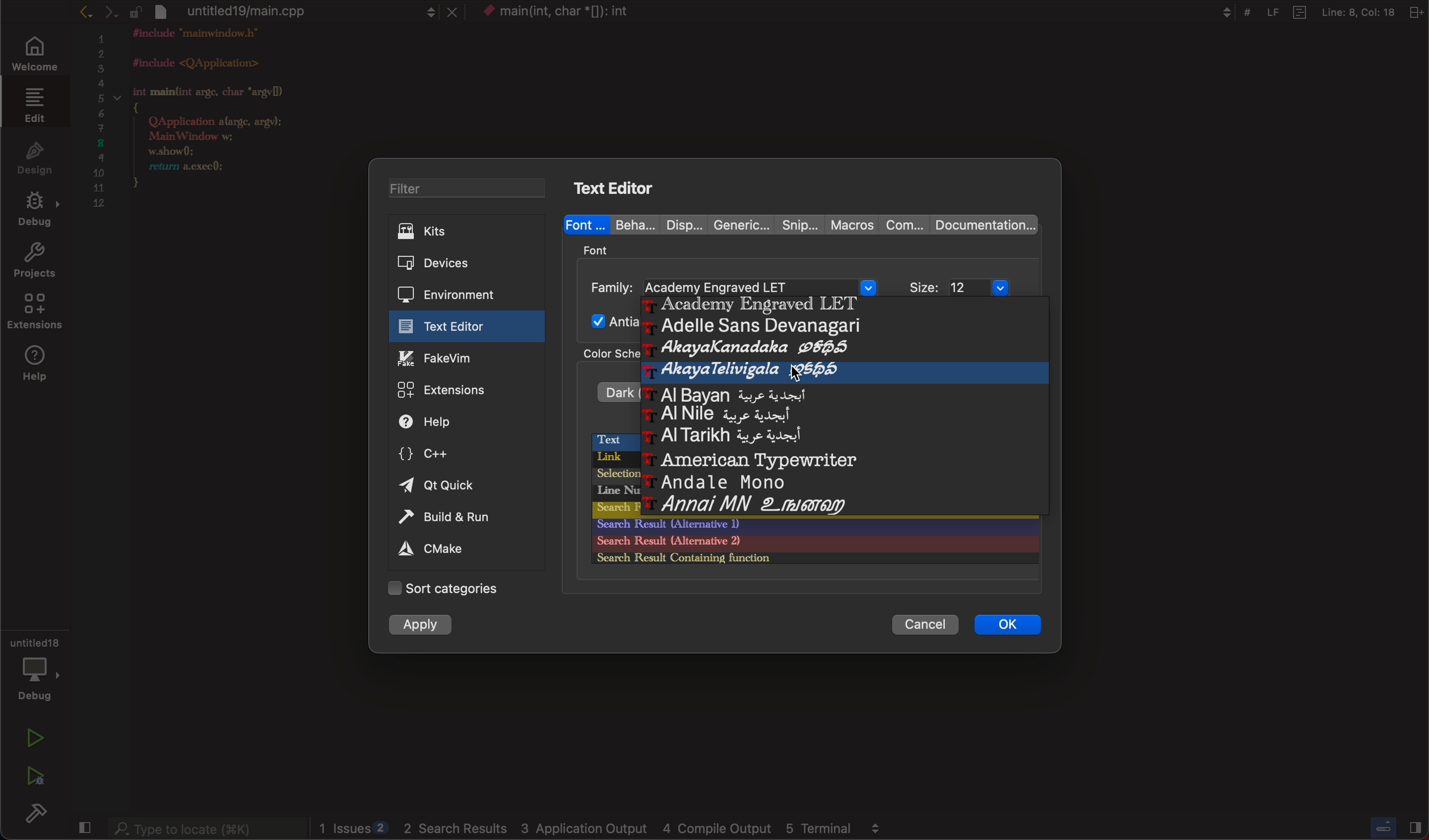 The height and width of the screenshot is (840, 1429). What do you see at coordinates (420, 625) in the screenshot?
I see `apply` at bounding box center [420, 625].